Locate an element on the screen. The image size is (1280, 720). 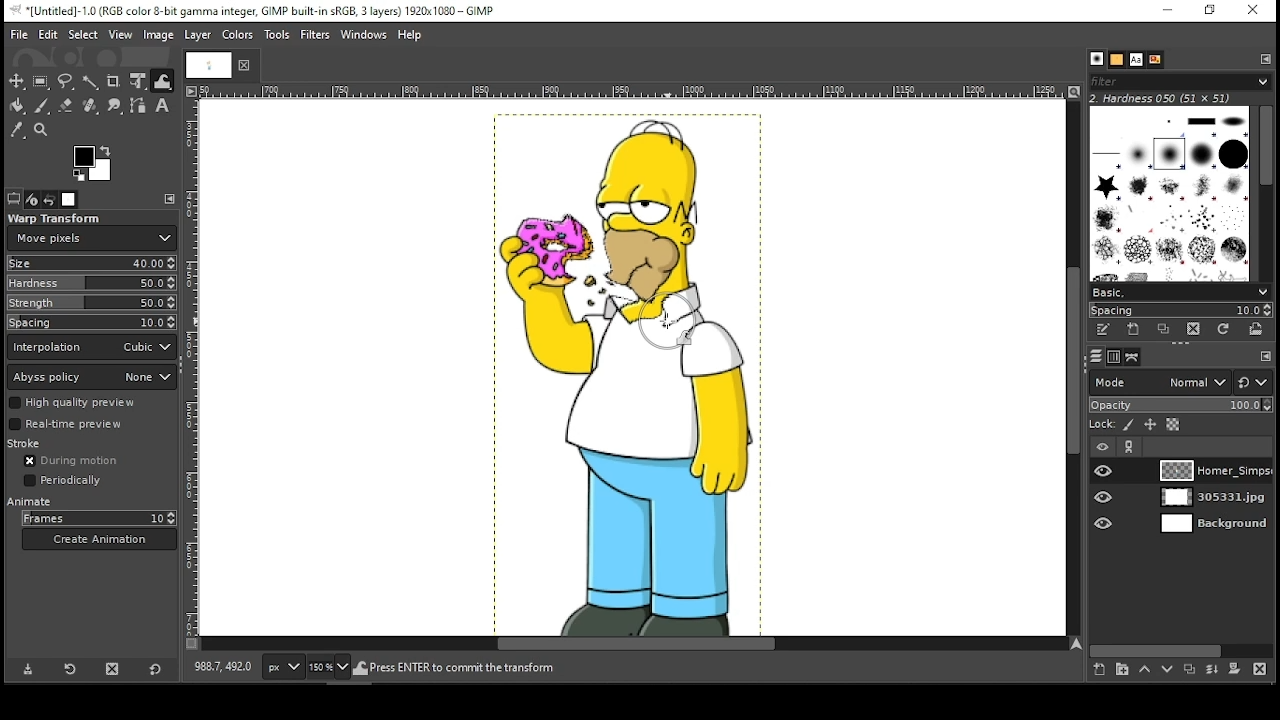
open brush as image is located at coordinates (1259, 329).